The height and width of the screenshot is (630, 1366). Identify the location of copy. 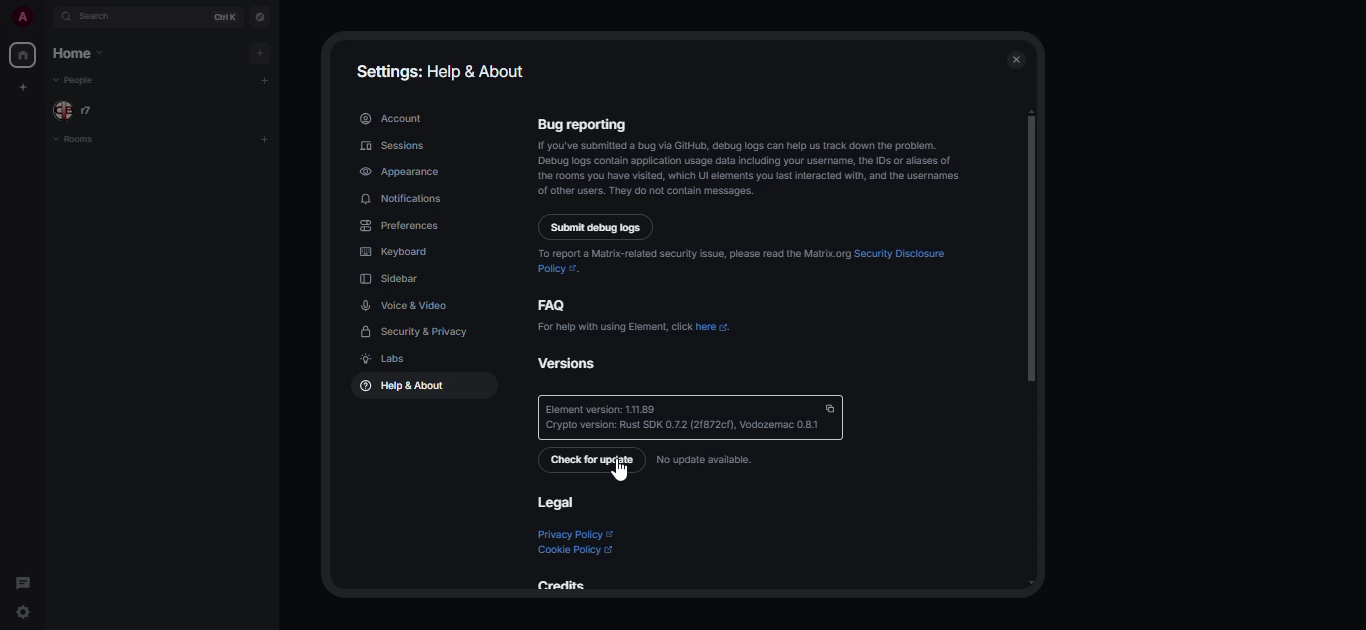
(832, 409).